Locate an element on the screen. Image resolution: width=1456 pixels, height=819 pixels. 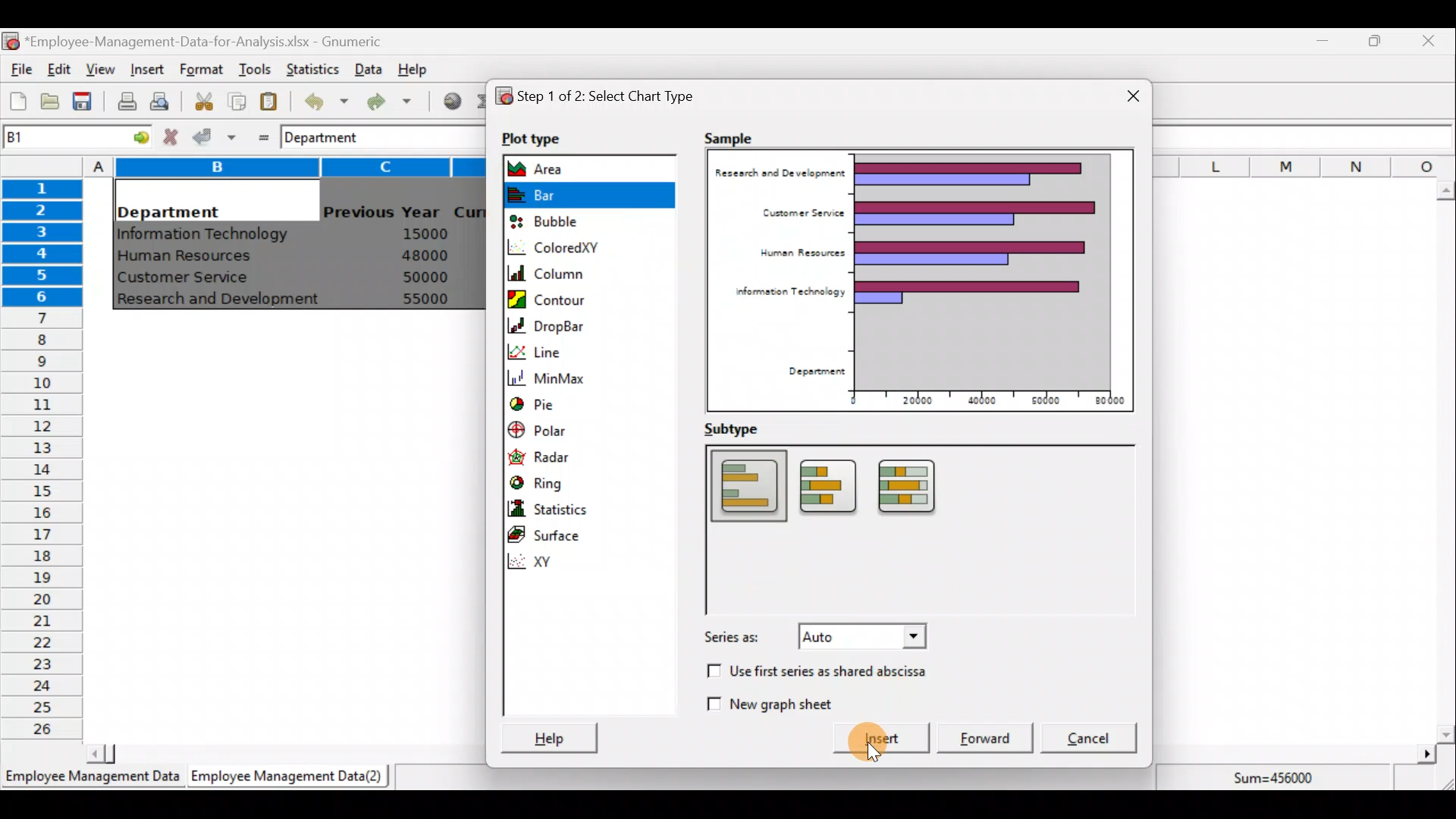
Information Technology is located at coordinates (788, 291).